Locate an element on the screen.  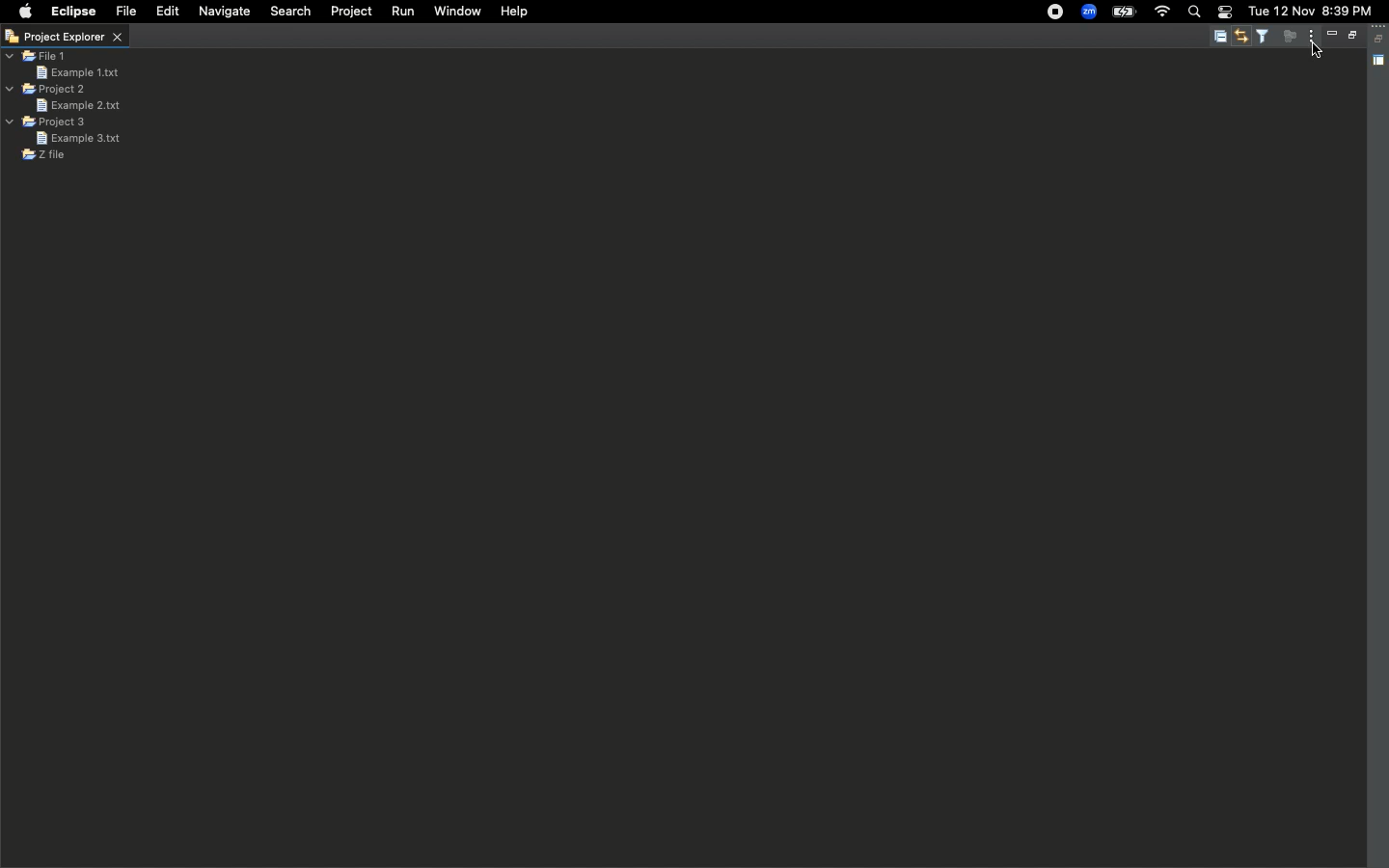
Window is located at coordinates (456, 14).